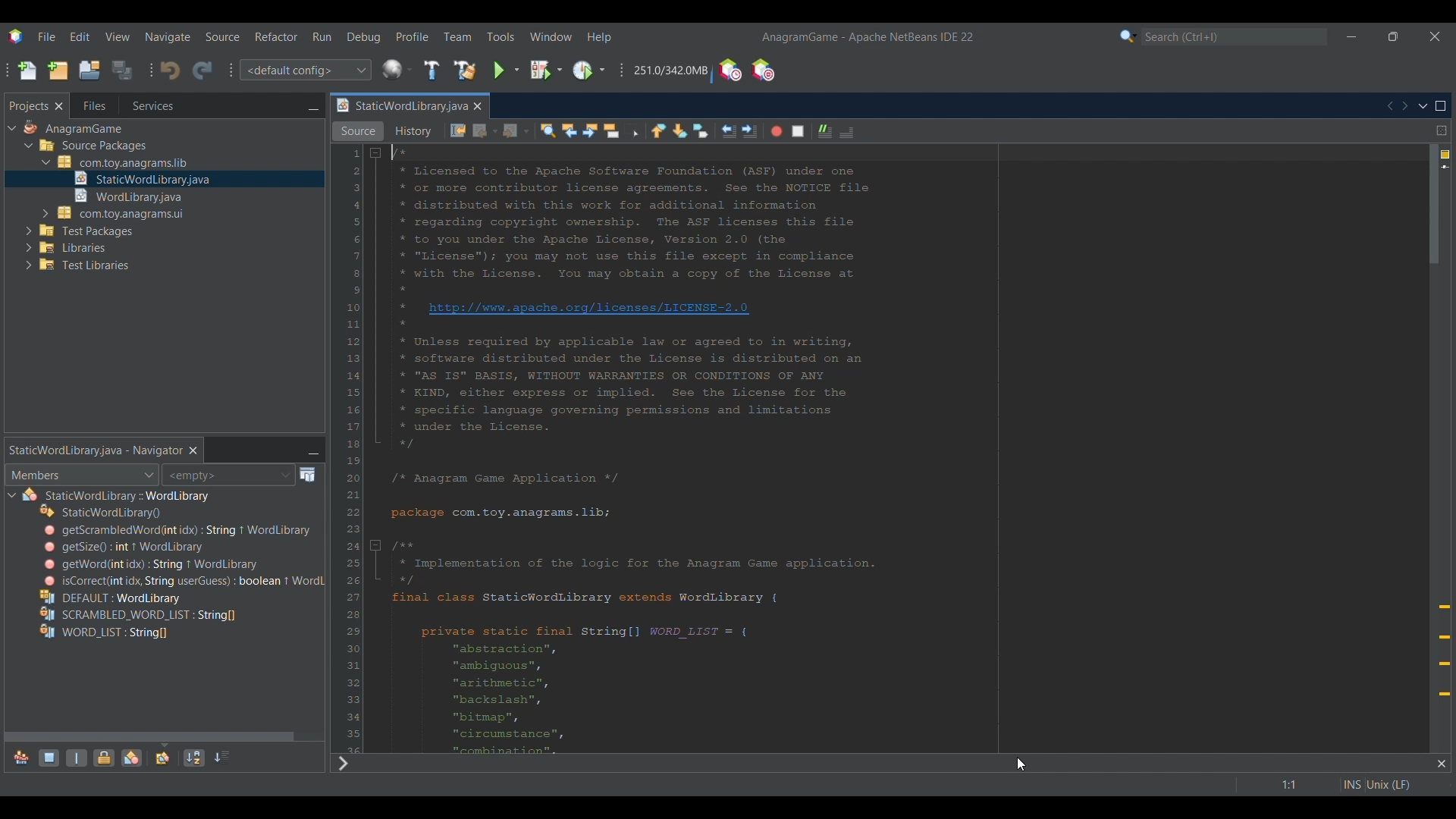  I want to click on Source view, selected, so click(359, 131).